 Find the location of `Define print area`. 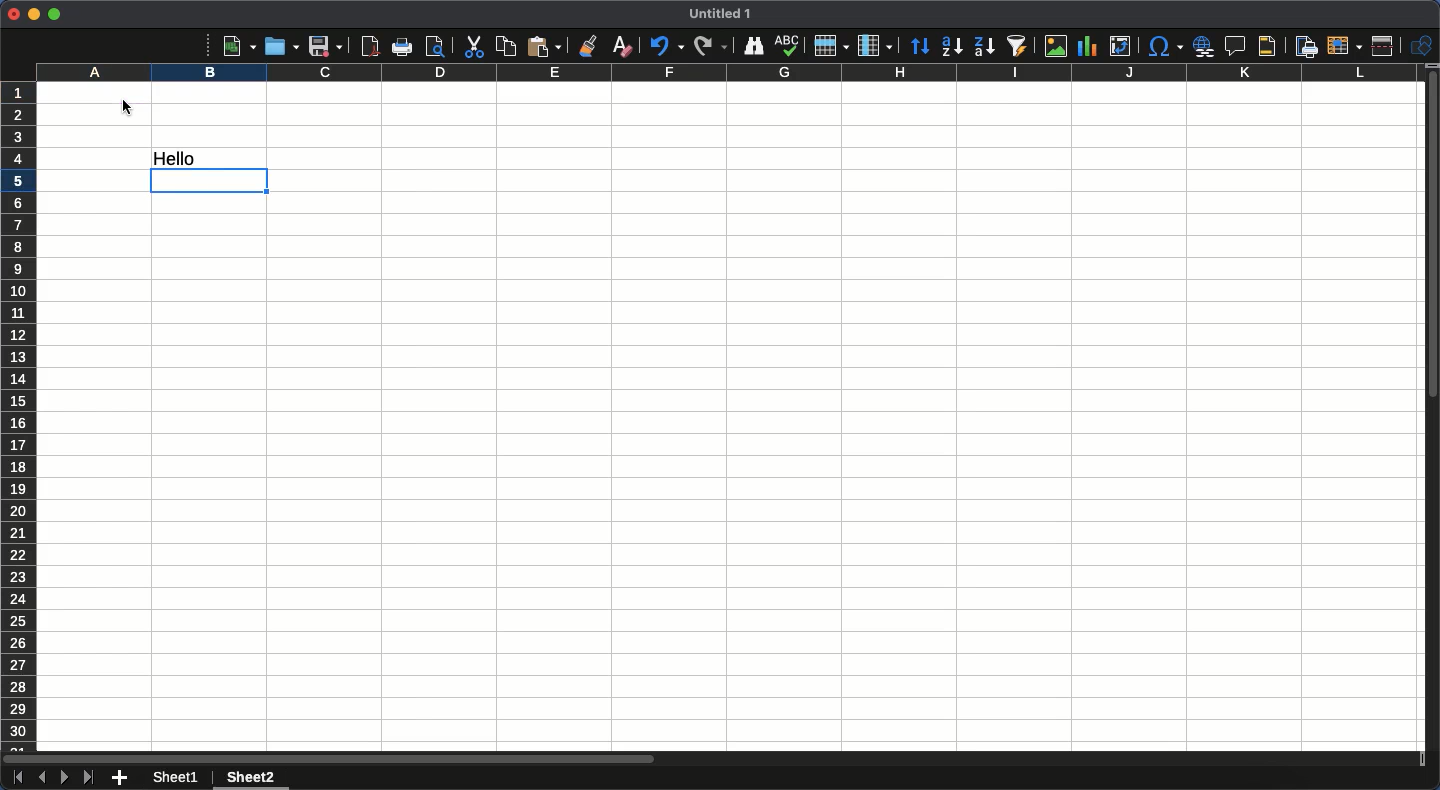

Define print area is located at coordinates (1305, 47).